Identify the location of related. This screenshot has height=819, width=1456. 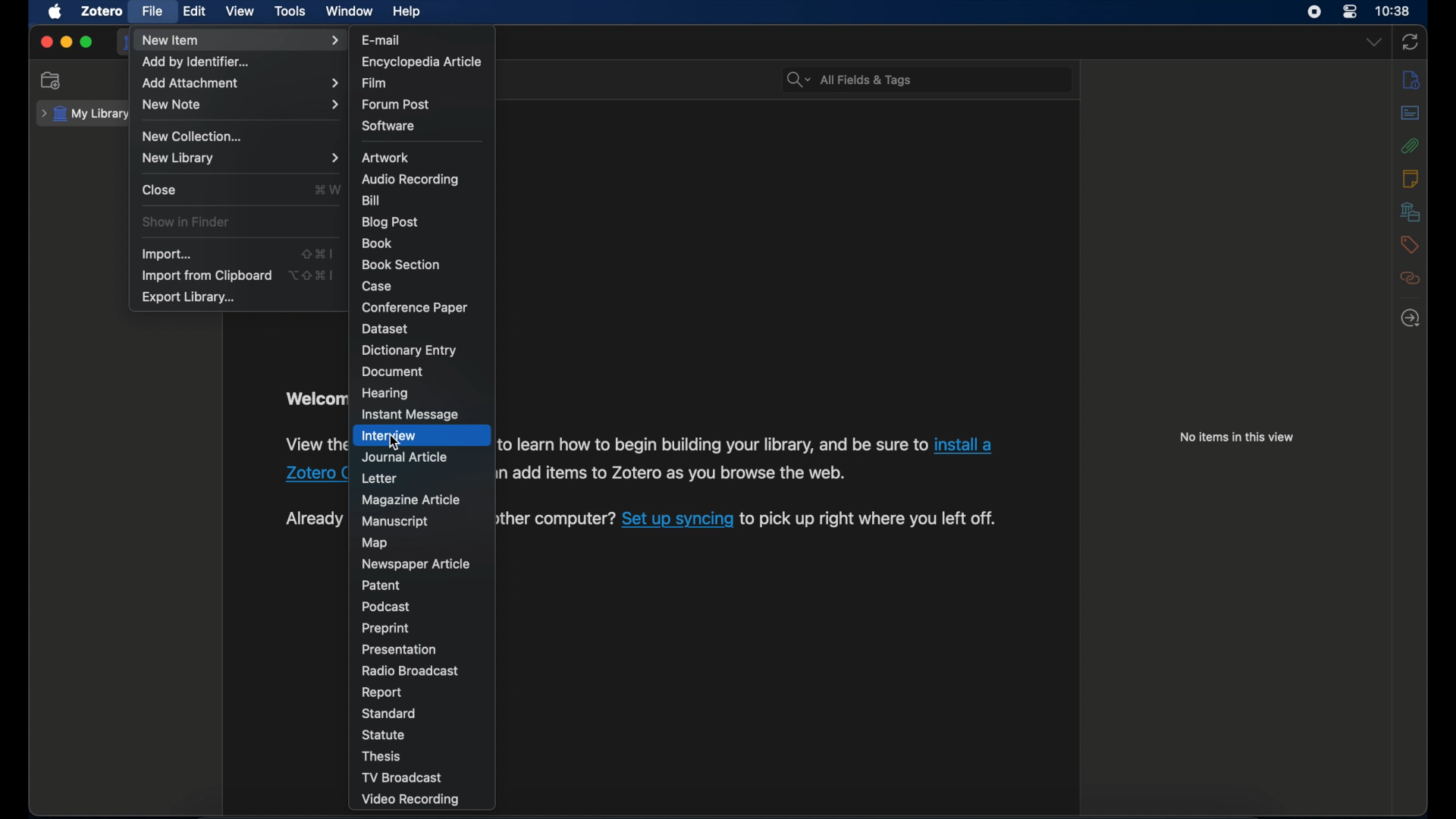
(1410, 278).